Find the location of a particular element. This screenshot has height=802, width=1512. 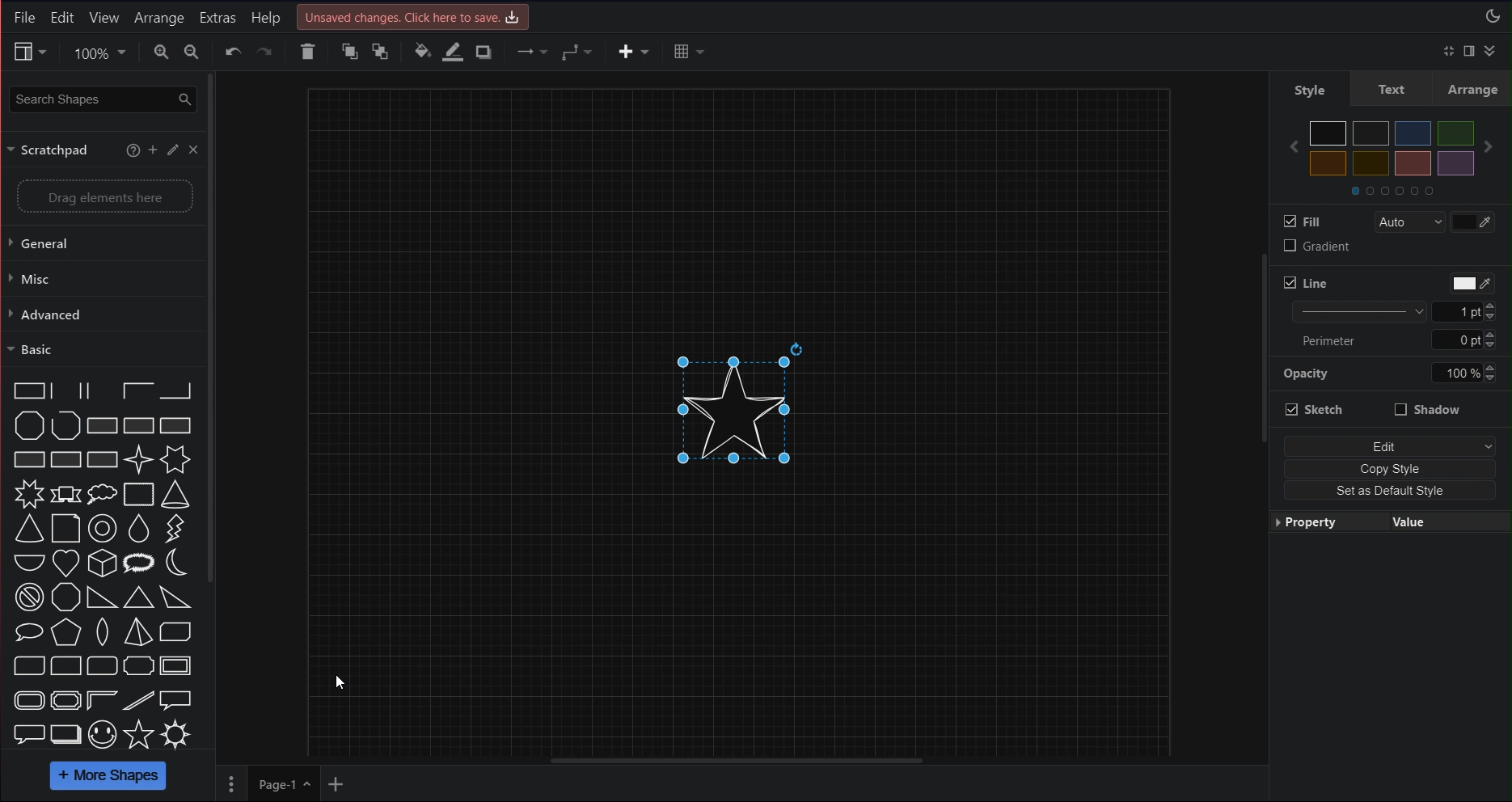

Search Bar is located at coordinates (102, 97).